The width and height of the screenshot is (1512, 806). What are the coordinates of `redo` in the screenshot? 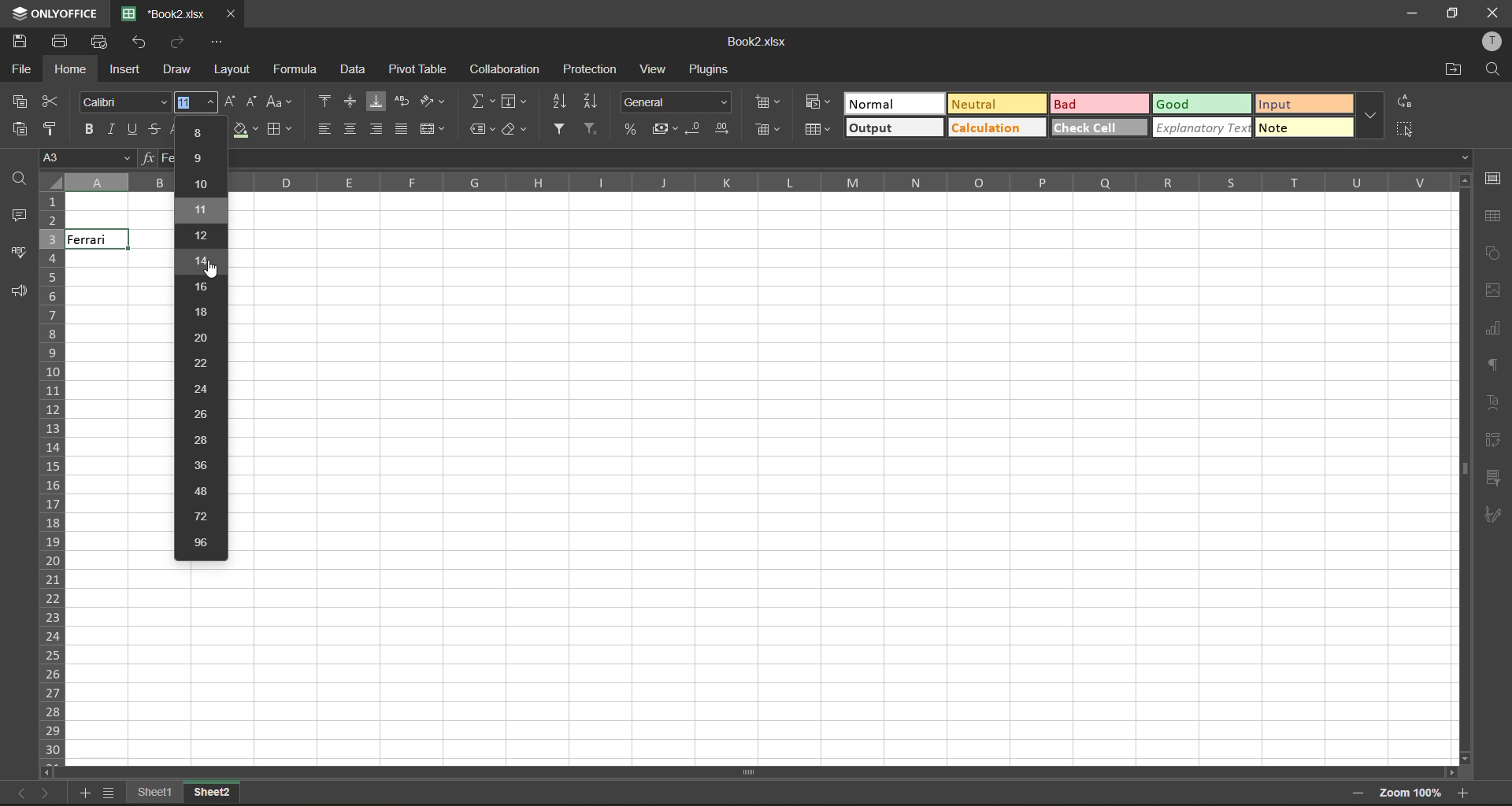 It's located at (179, 42).